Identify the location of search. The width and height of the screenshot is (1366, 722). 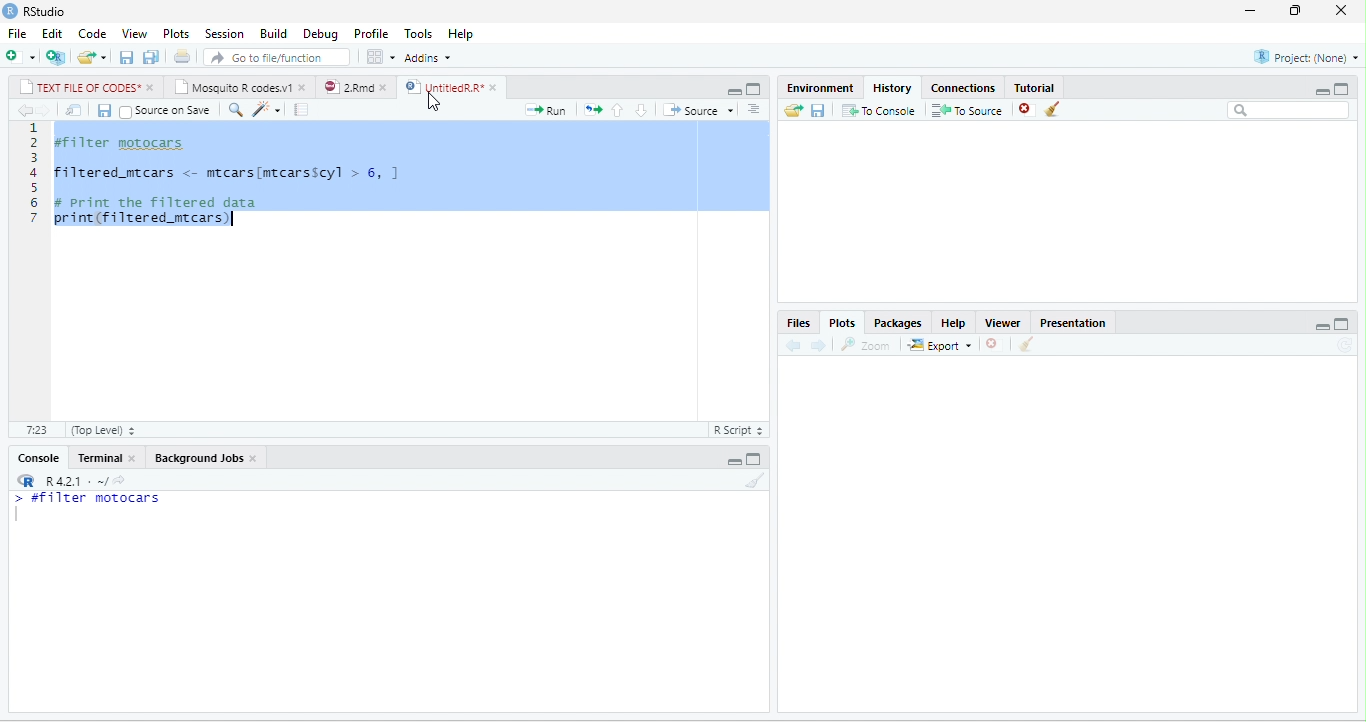
(235, 110).